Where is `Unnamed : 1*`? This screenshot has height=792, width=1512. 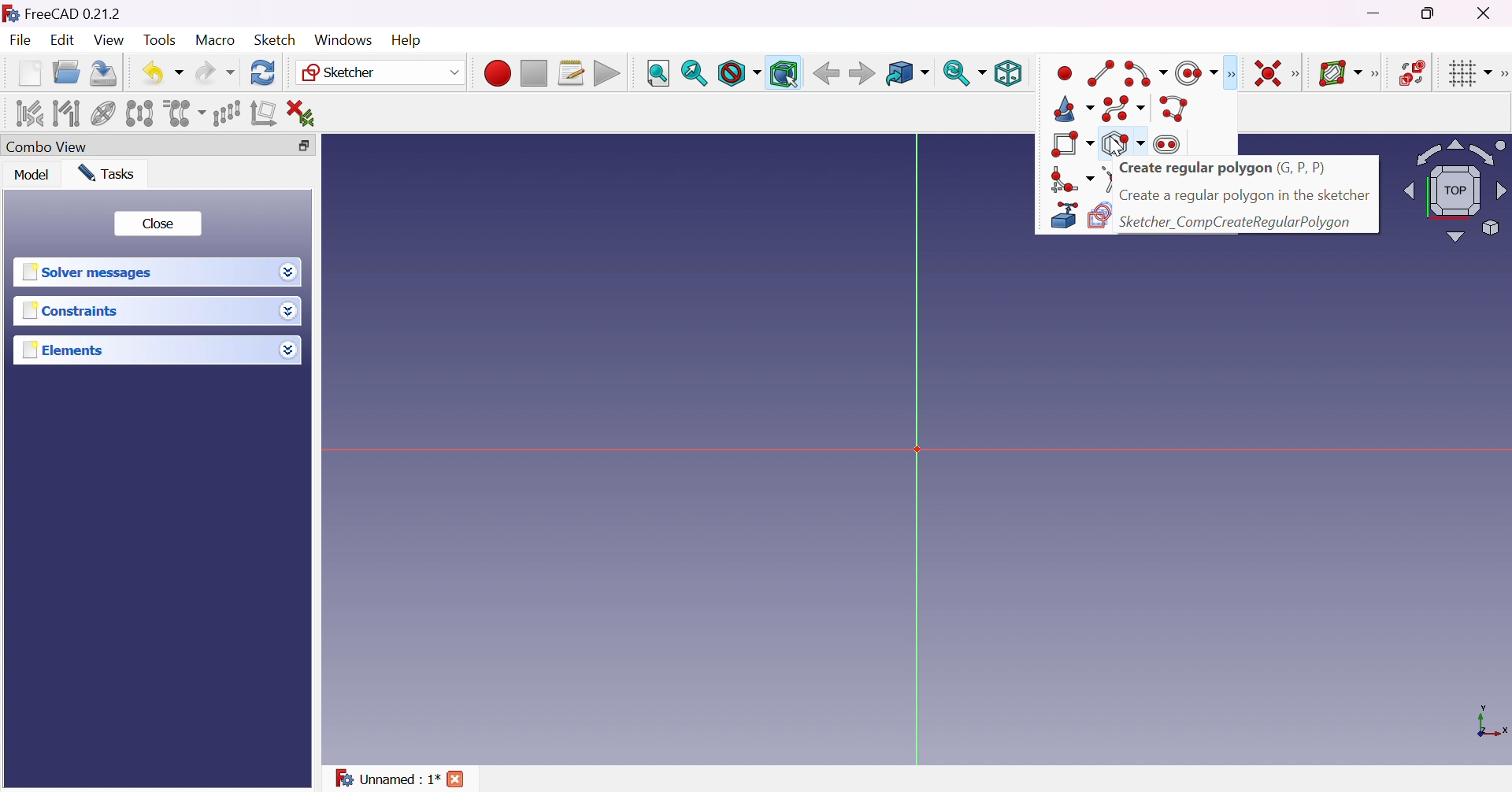
Unnamed : 1* is located at coordinates (387, 779).